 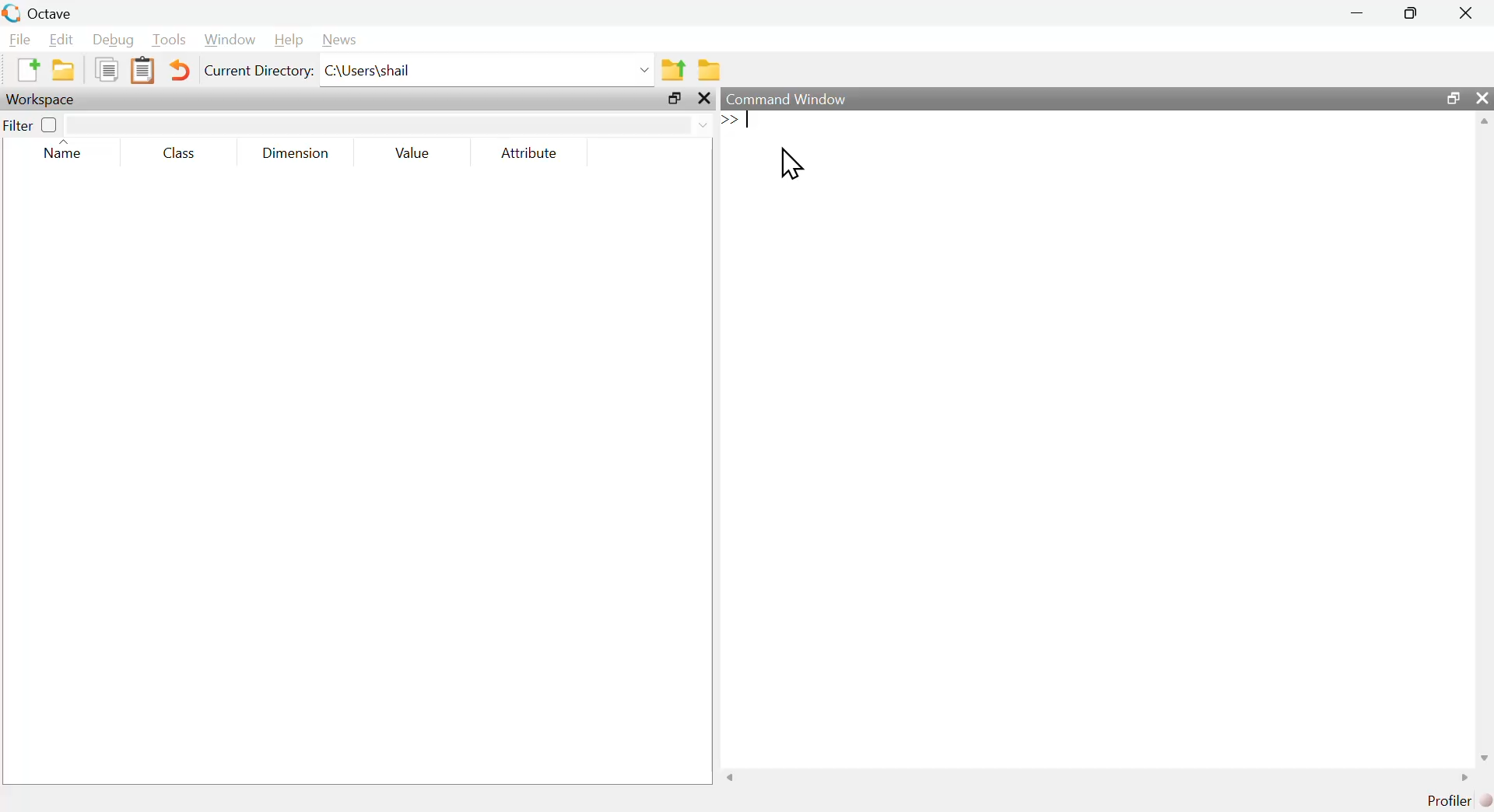 I want to click on News, so click(x=345, y=40).